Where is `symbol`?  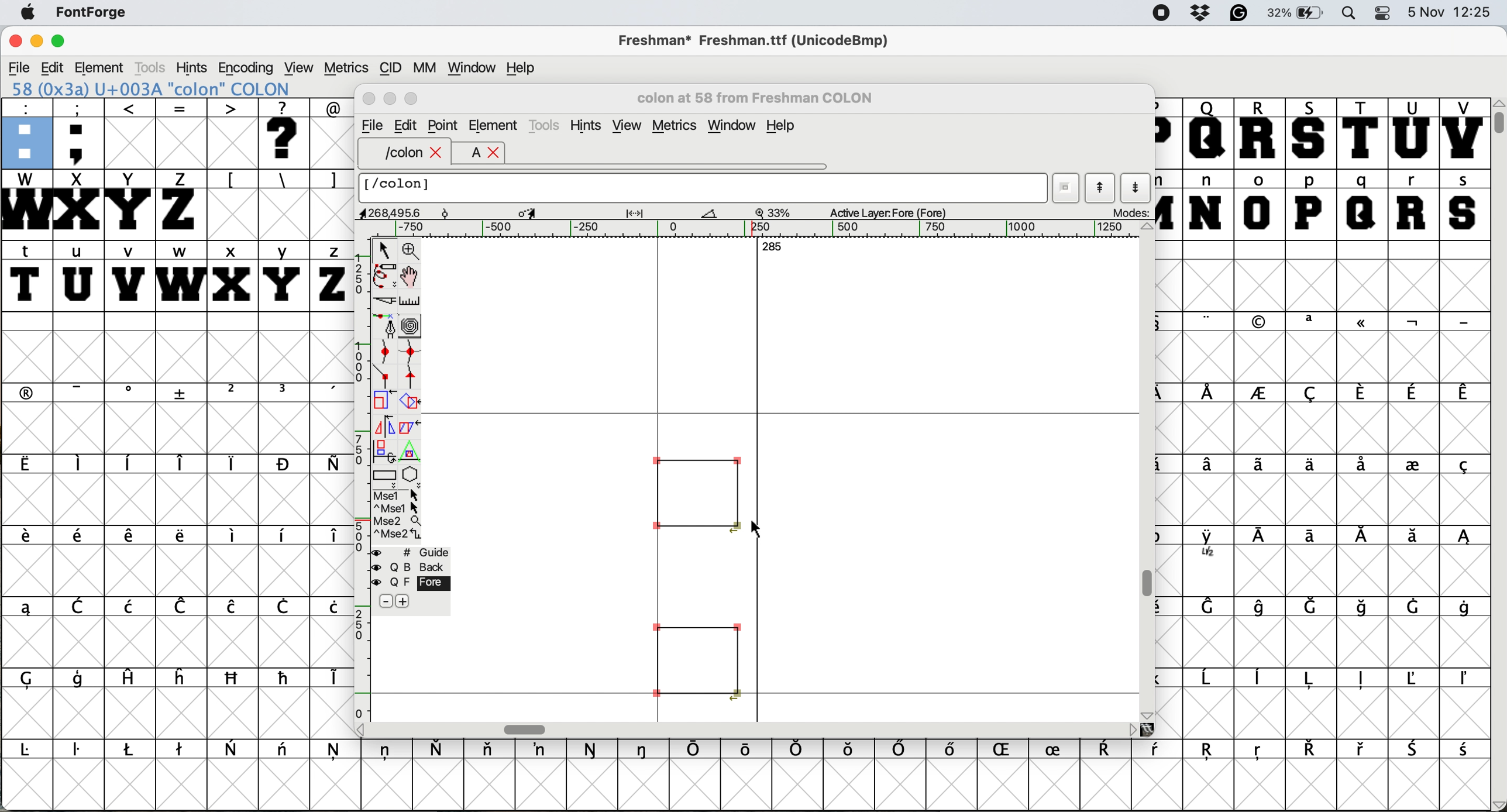
symbol is located at coordinates (1363, 607).